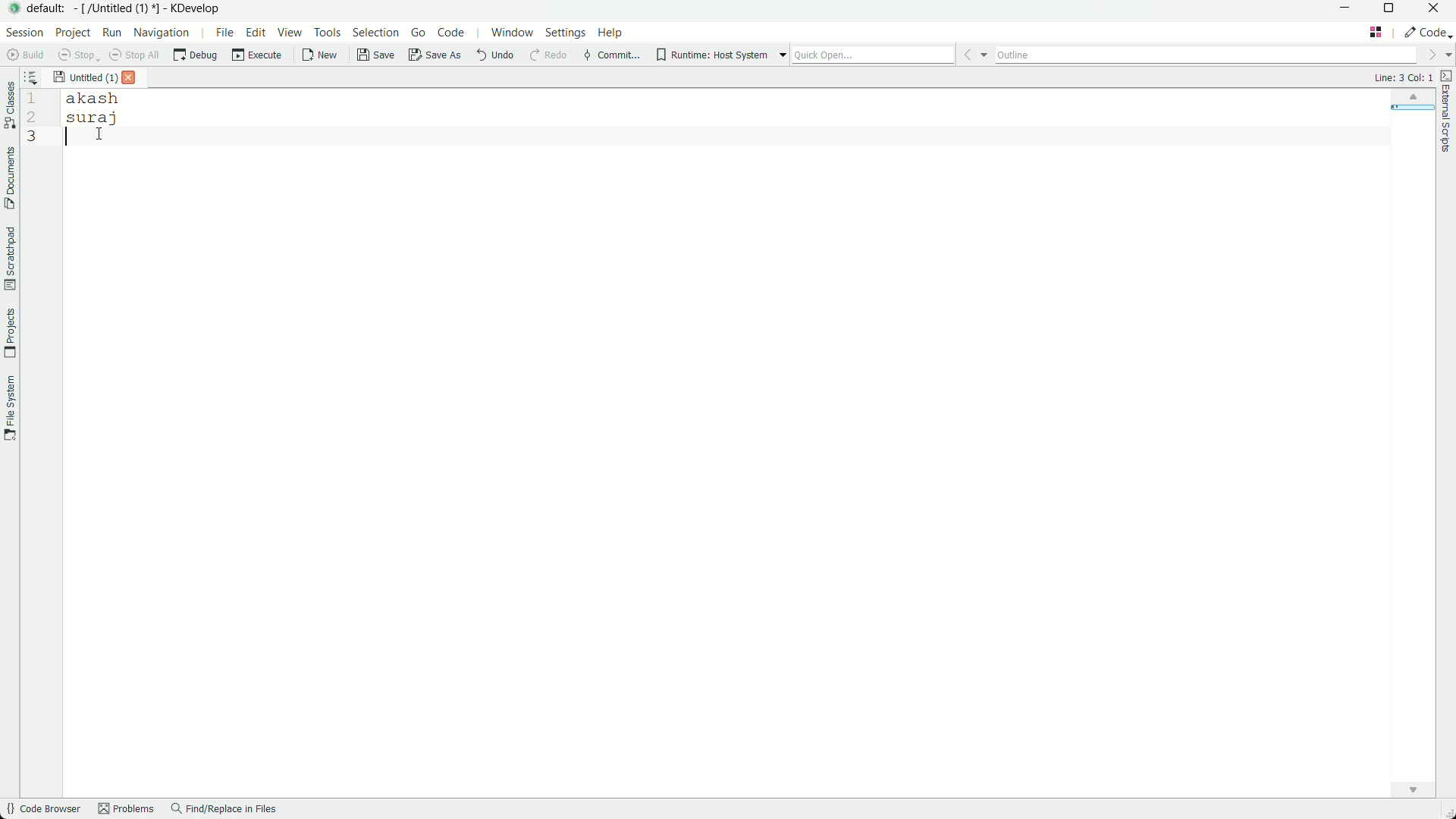 The width and height of the screenshot is (1456, 819). What do you see at coordinates (511, 33) in the screenshot?
I see `window menu` at bounding box center [511, 33].